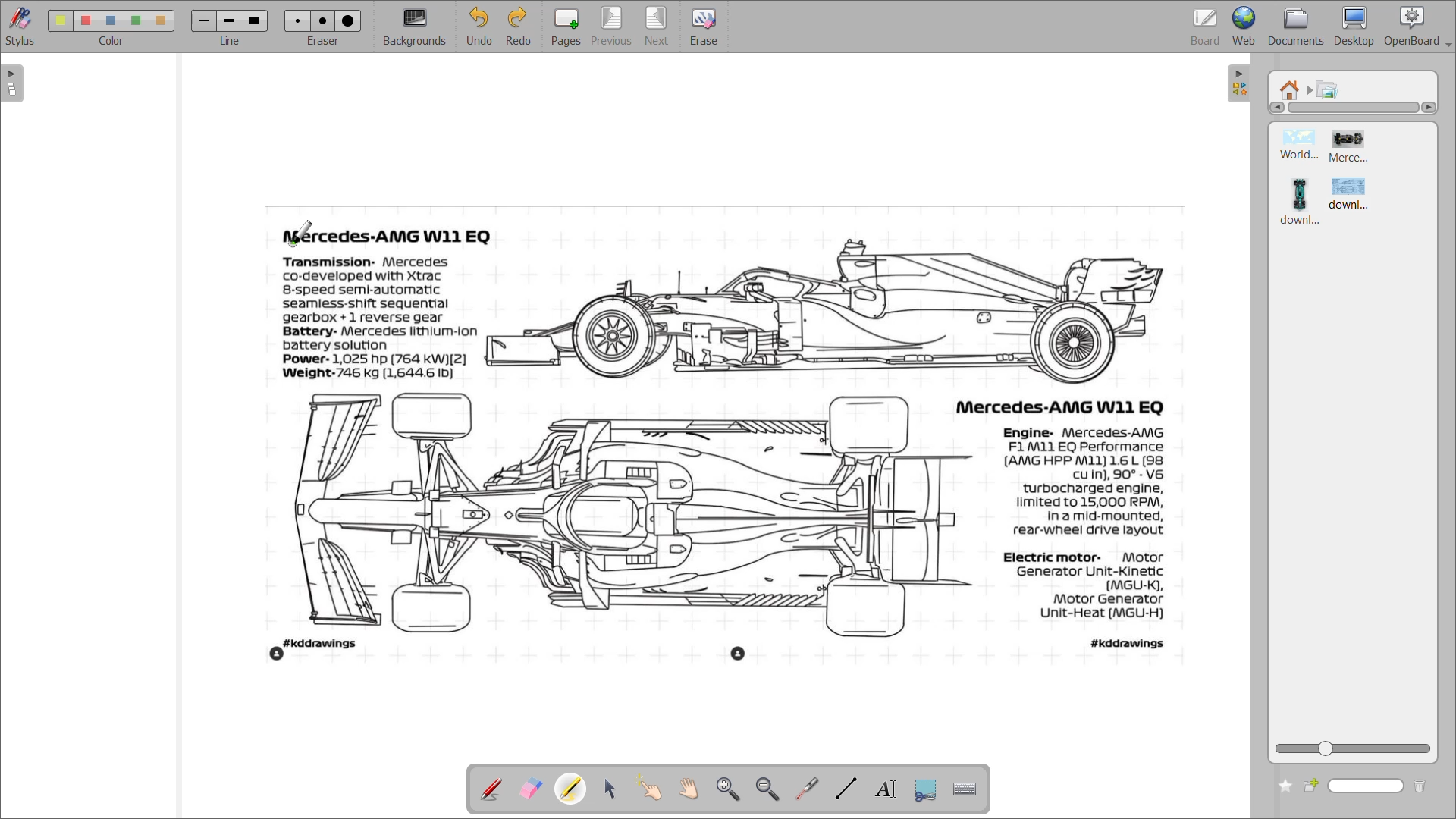 The image size is (1456, 819). Describe the element at coordinates (347, 20) in the screenshot. I see `eraser 3` at that location.